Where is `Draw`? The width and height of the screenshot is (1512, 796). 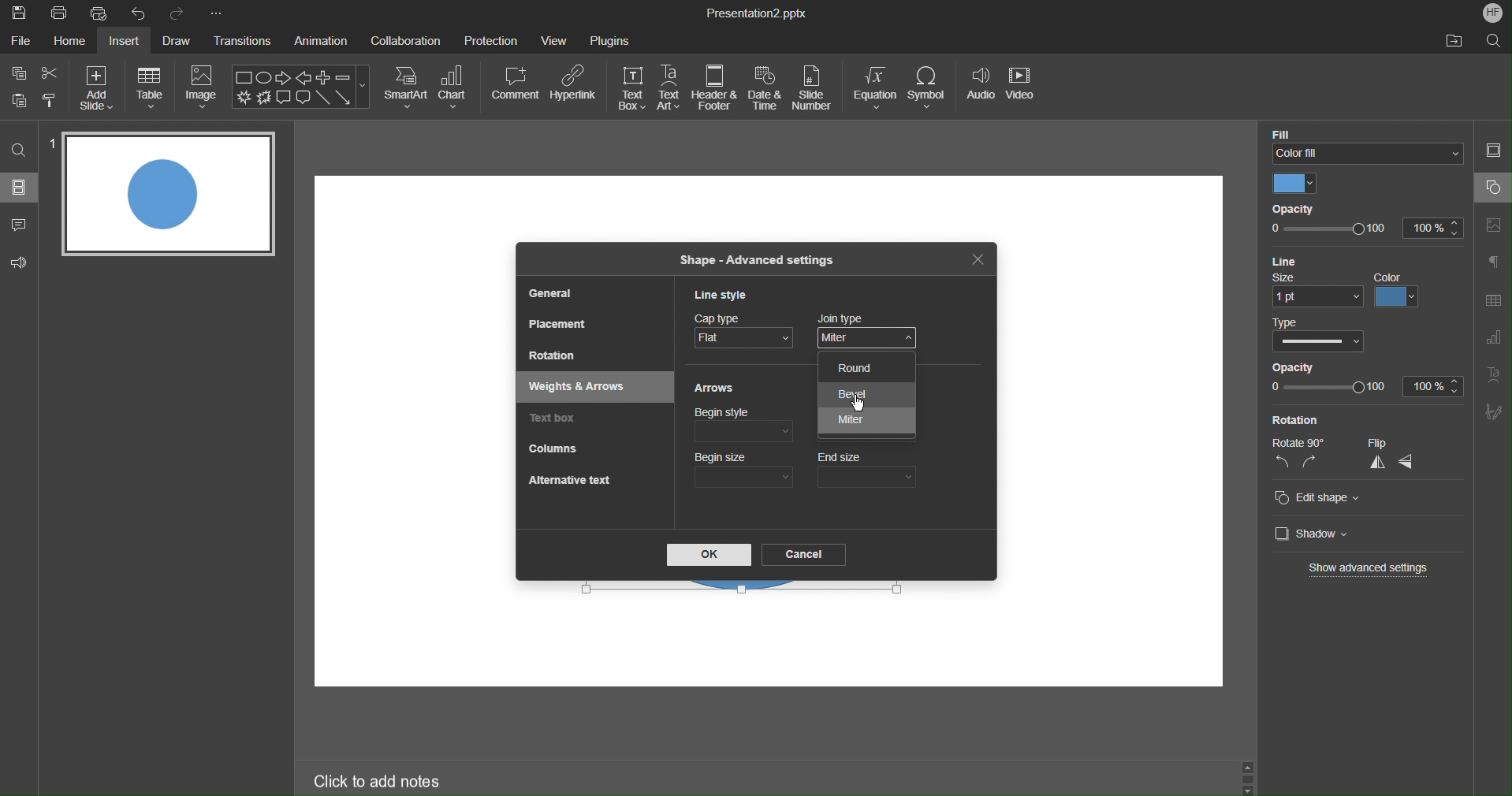
Draw is located at coordinates (180, 41).